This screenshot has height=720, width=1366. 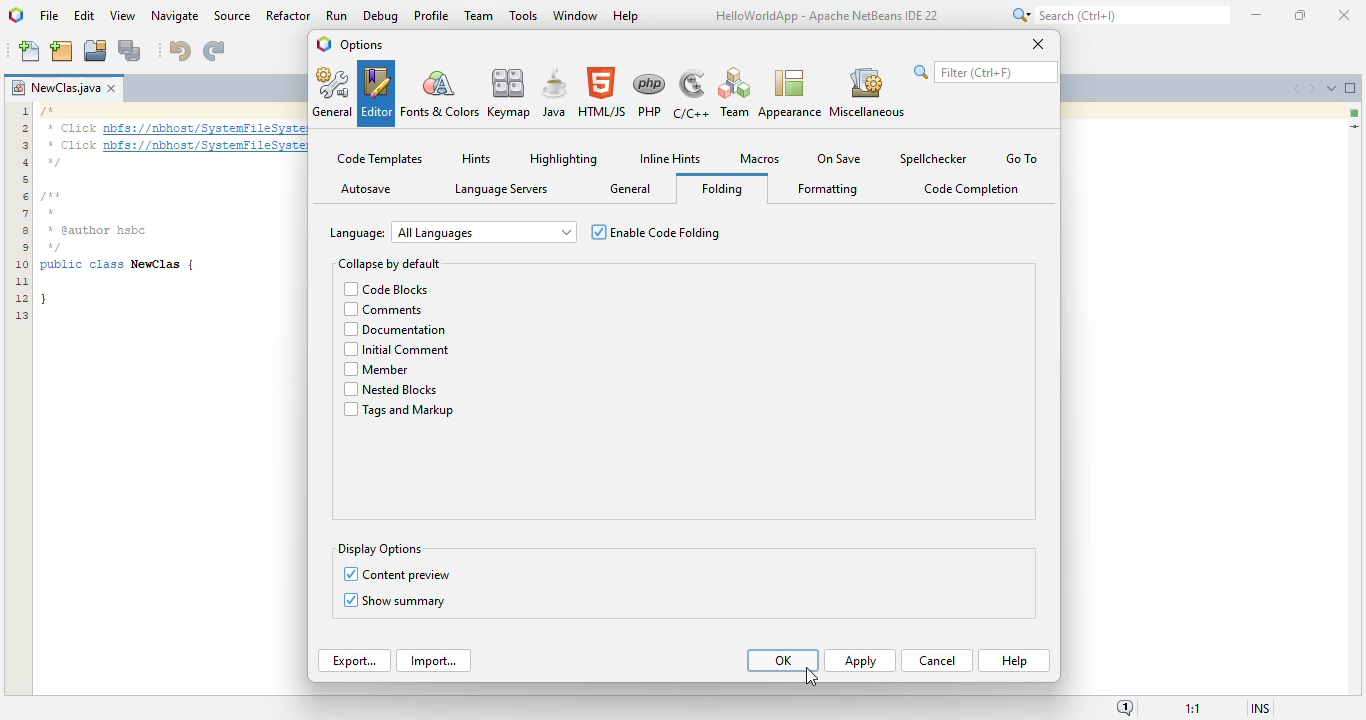 What do you see at coordinates (1351, 88) in the screenshot?
I see `maximize window` at bounding box center [1351, 88].